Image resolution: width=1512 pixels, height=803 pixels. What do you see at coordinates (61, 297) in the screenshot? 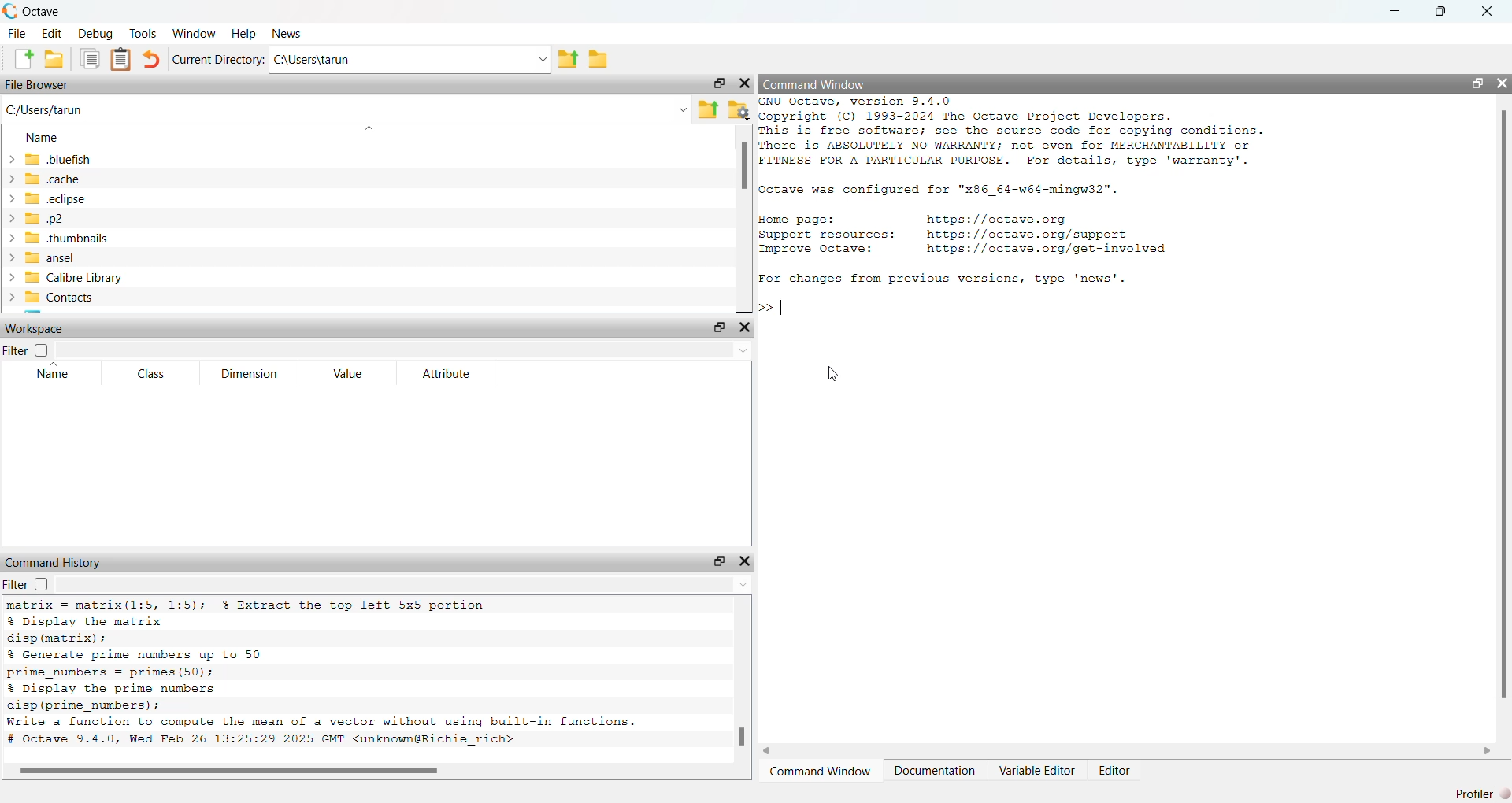
I see `contacts` at bounding box center [61, 297].